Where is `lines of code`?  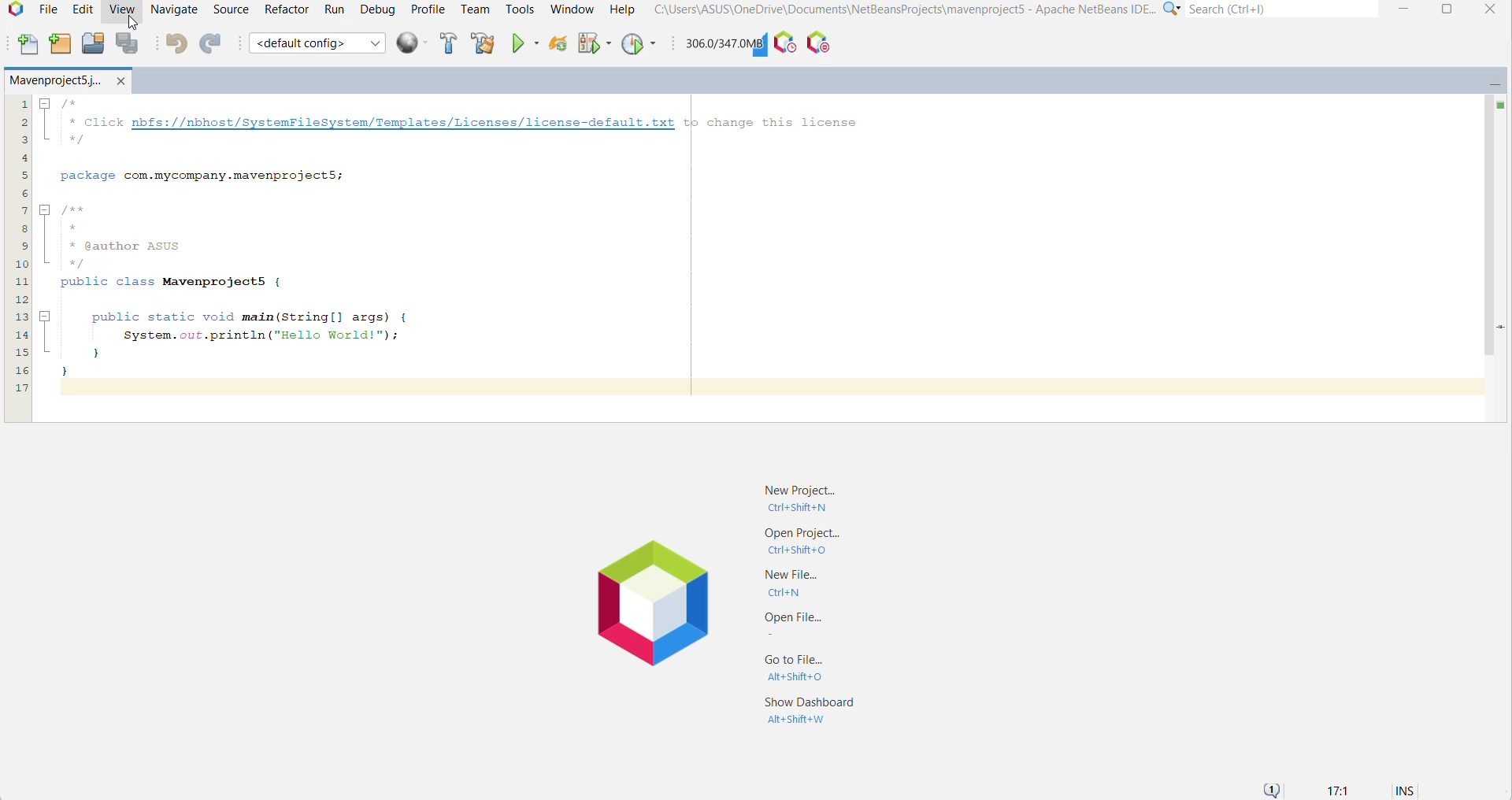
lines of code is located at coordinates (16, 253).